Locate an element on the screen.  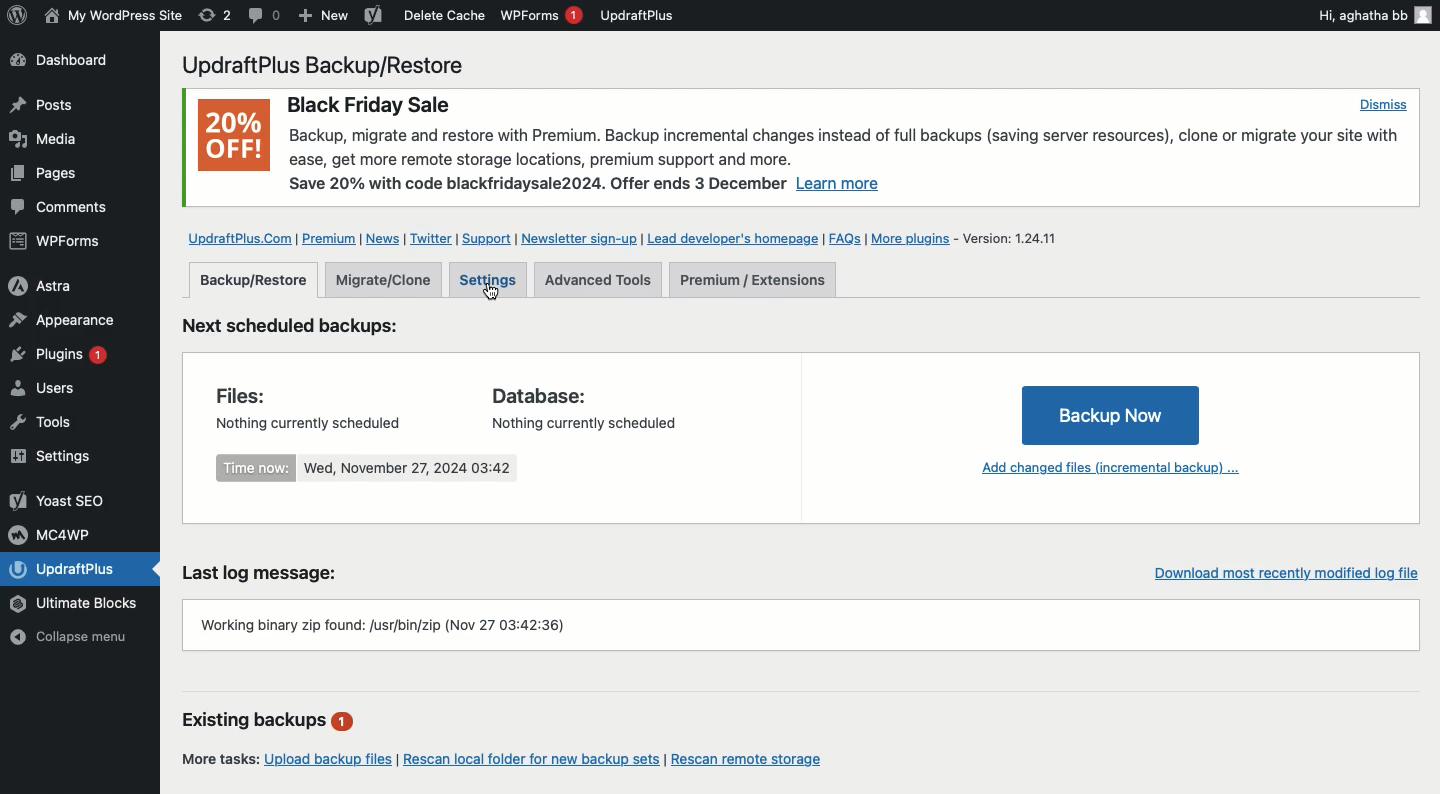
Comment 0 is located at coordinates (265, 15).